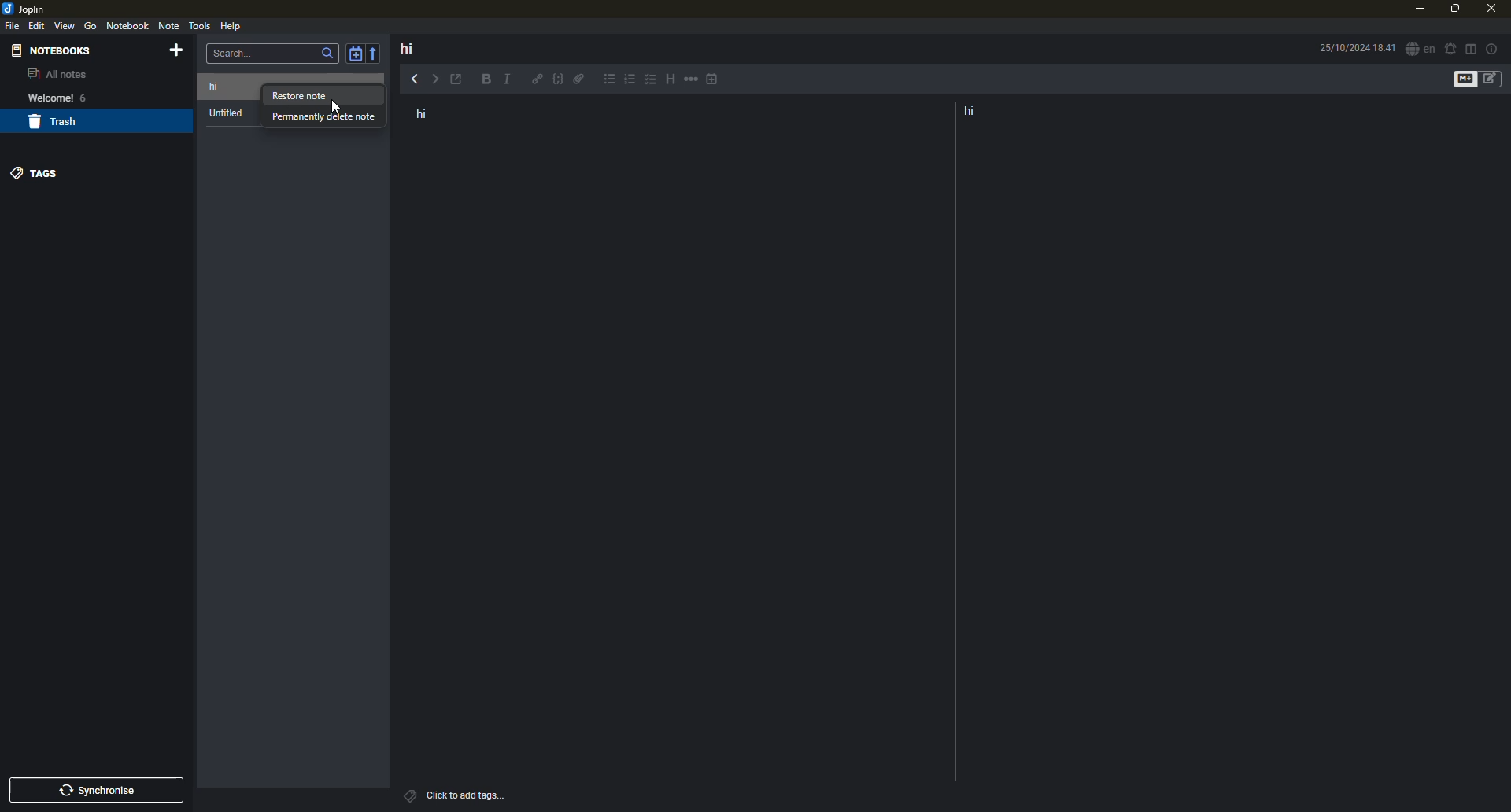  What do you see at coordinates (1453, 9) in the screenshot?
I see `maximize` at bounding box center [1453, 9].